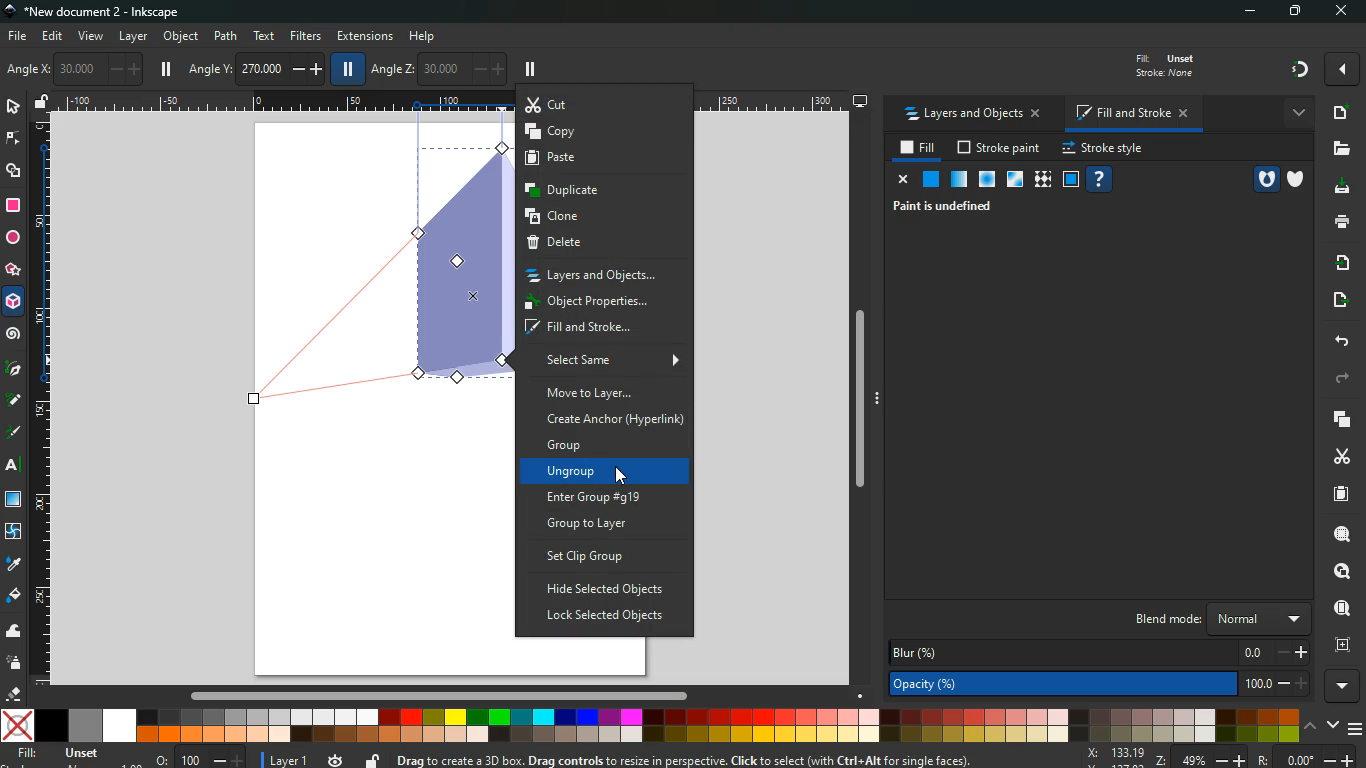 This screenshot has width=1366, height=768. What do you see at coordinates (604, 617) in the screenshot?
I see `lock selected objects` at bounding box center [604, 617].